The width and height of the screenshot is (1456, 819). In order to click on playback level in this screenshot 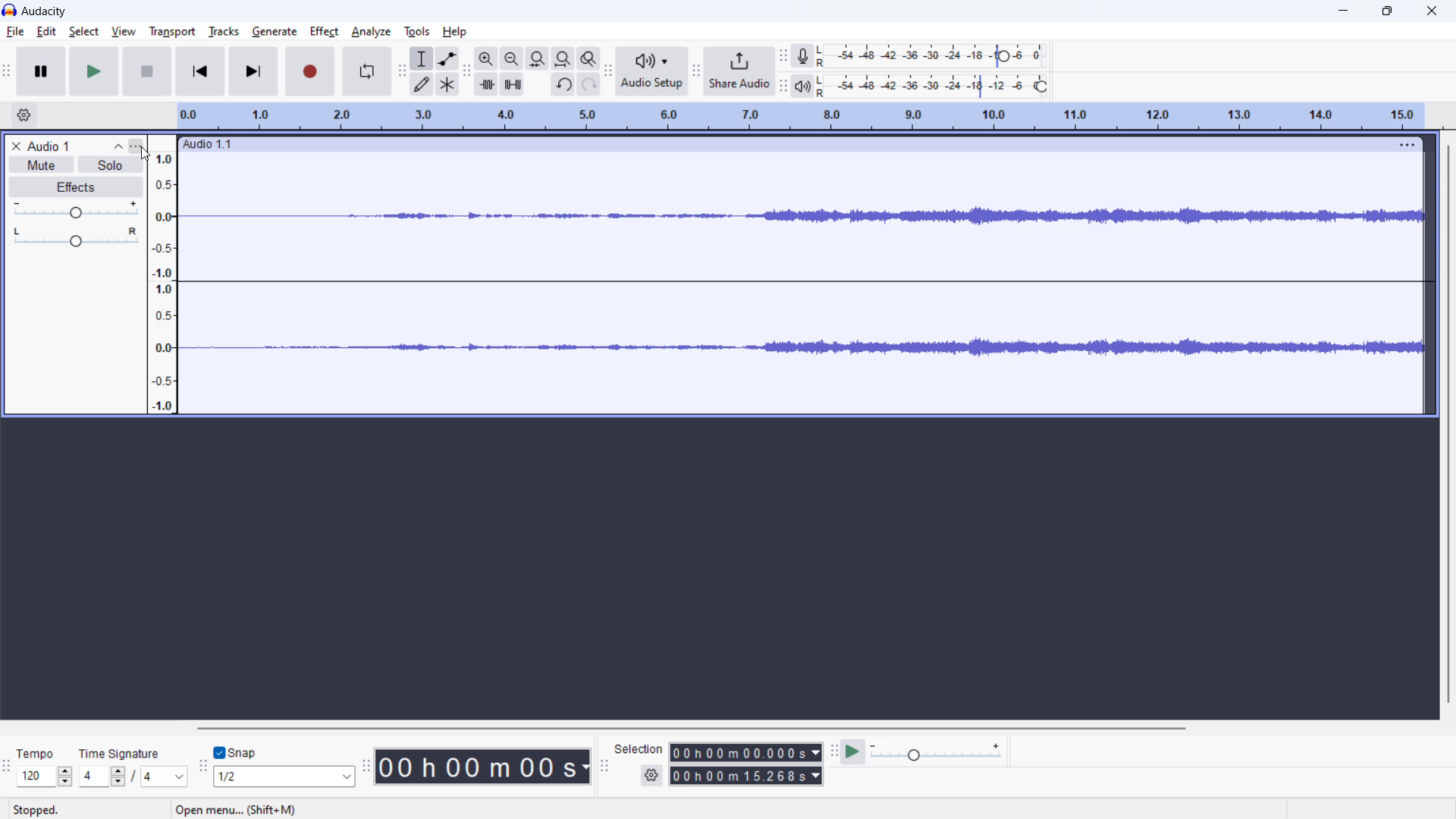, I will do `click(937, 86)`.